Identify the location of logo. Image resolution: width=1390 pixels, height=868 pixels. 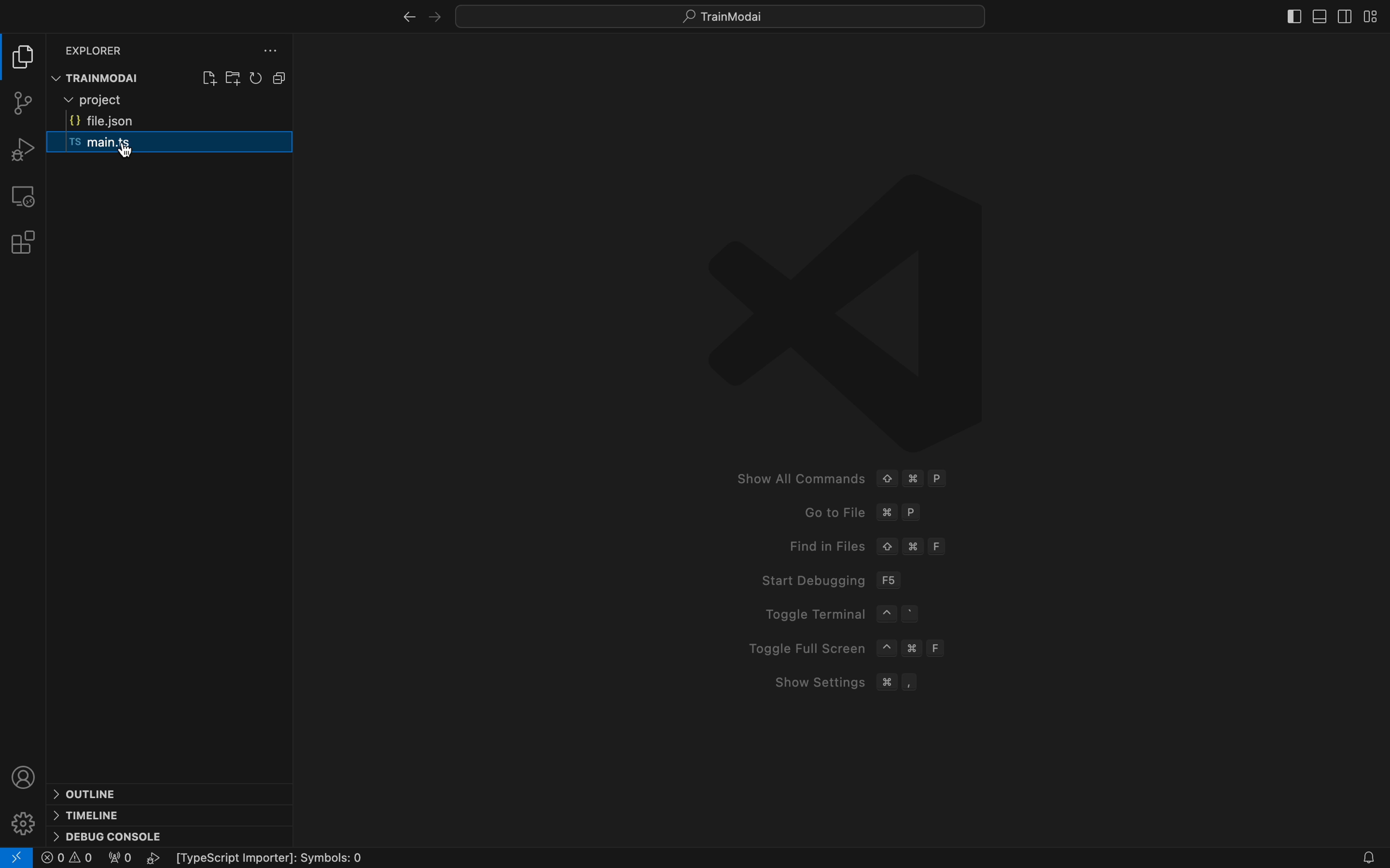
(18, 858).